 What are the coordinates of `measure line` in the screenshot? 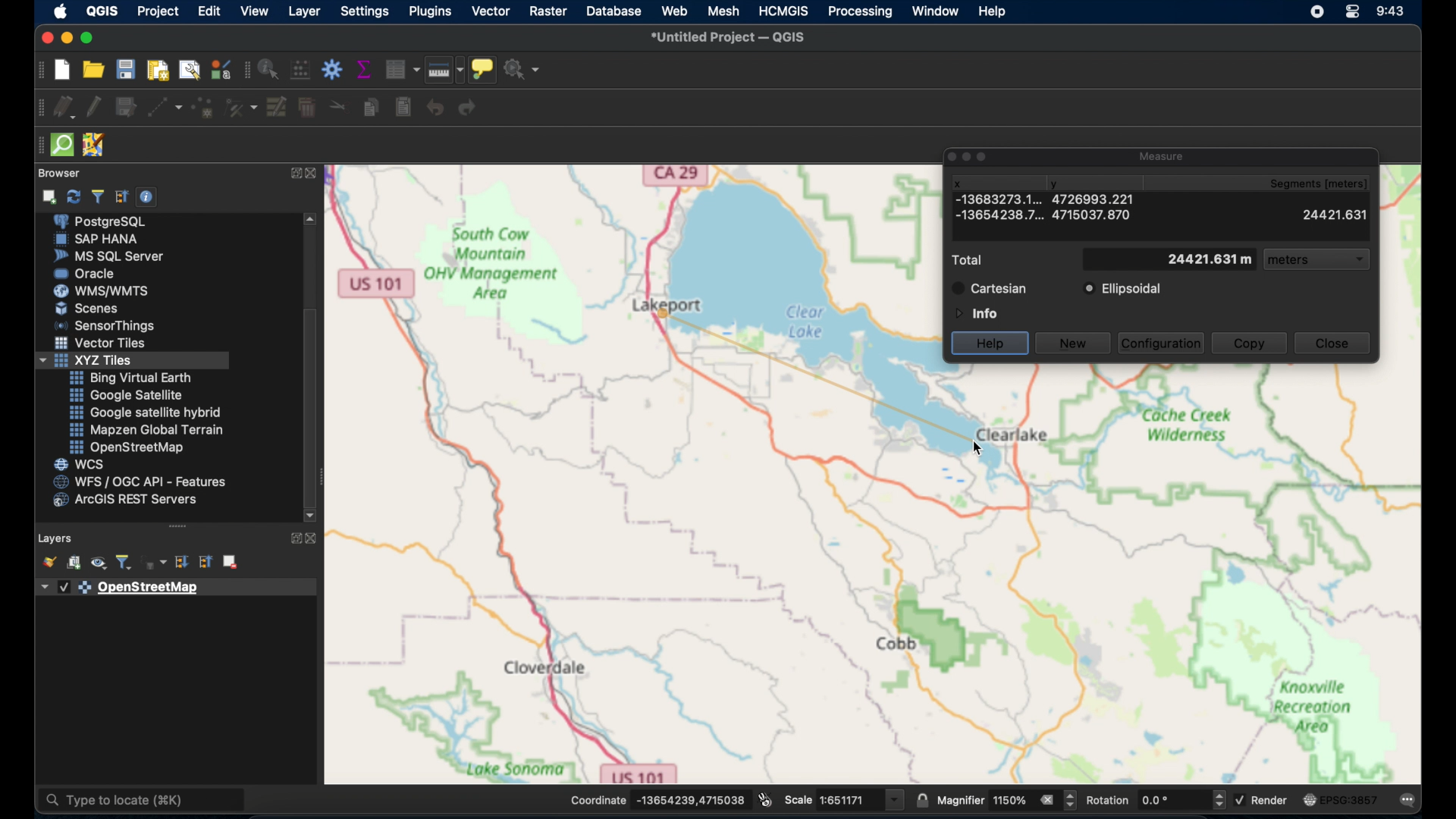 It's located at (444, 70).